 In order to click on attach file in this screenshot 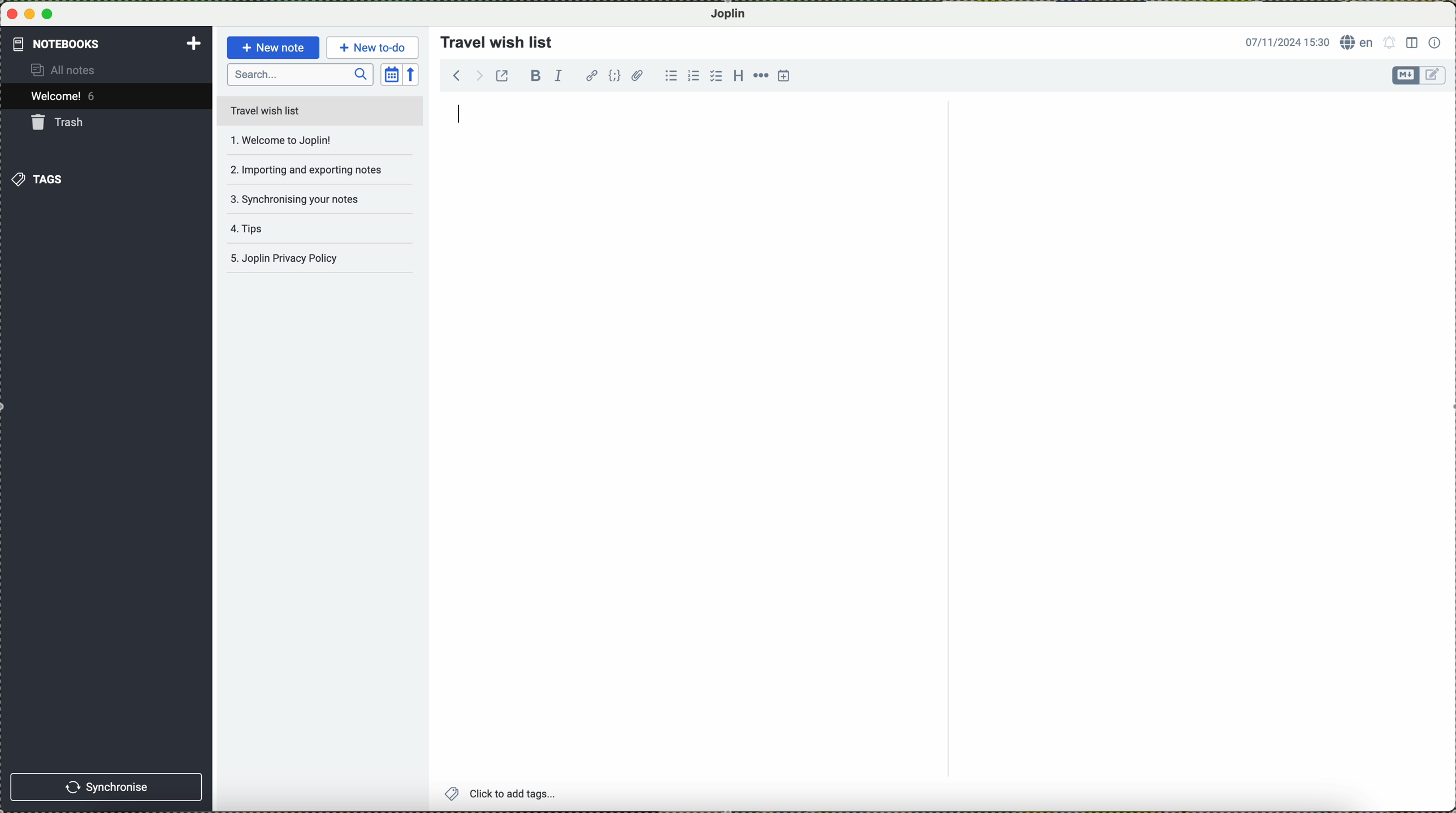, I will do `click(638, 75)`.